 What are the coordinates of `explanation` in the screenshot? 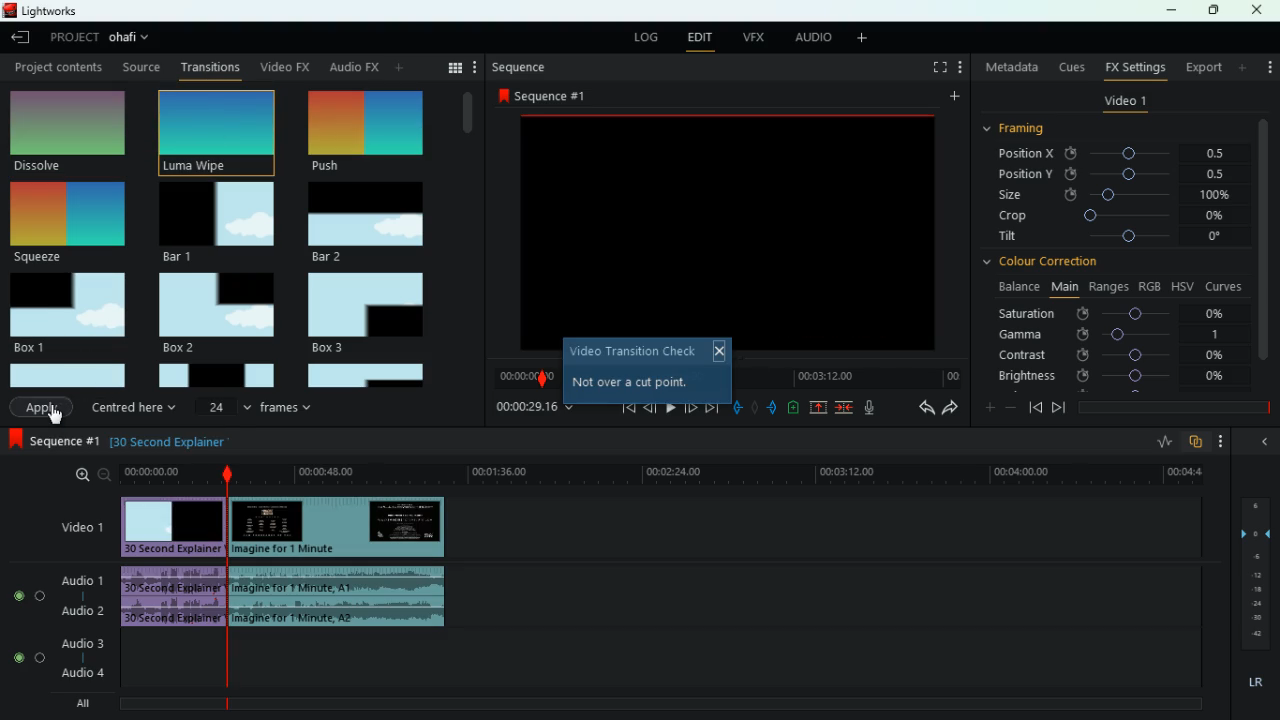 It's located at (175, 441).